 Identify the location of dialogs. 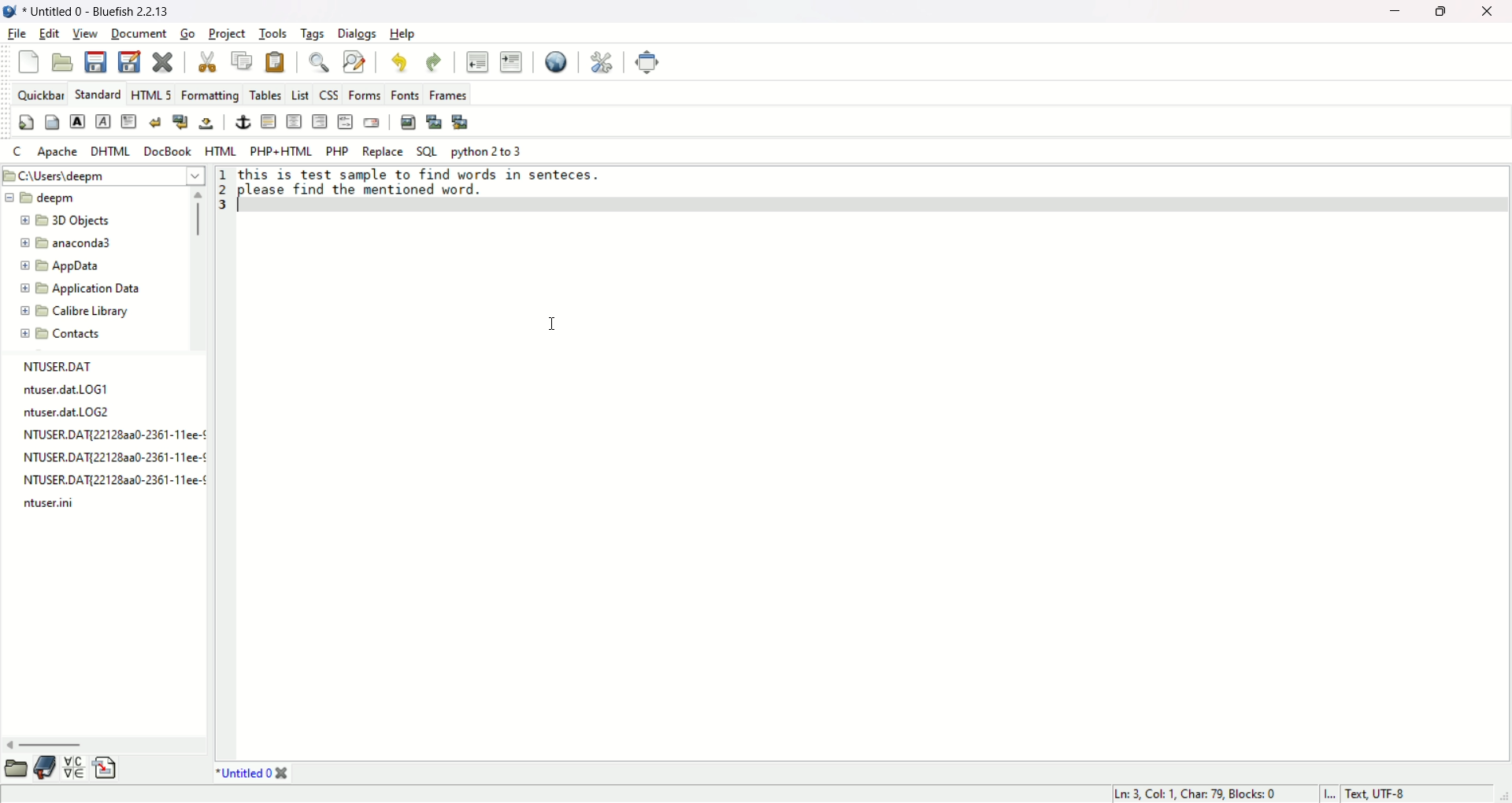
(355, 32).